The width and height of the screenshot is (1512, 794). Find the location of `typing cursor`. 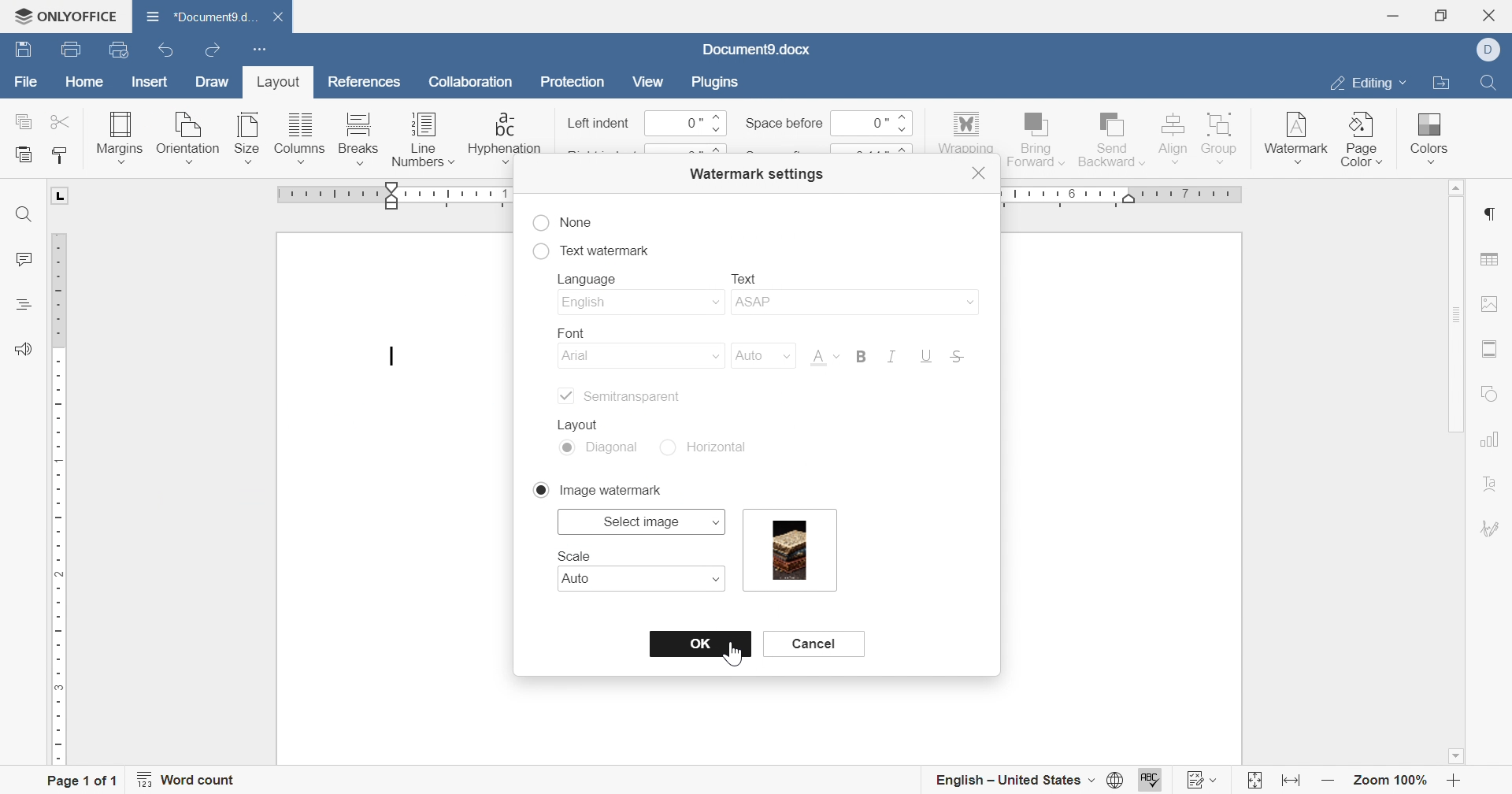

typing cursor is located at coordinates (391, 355).